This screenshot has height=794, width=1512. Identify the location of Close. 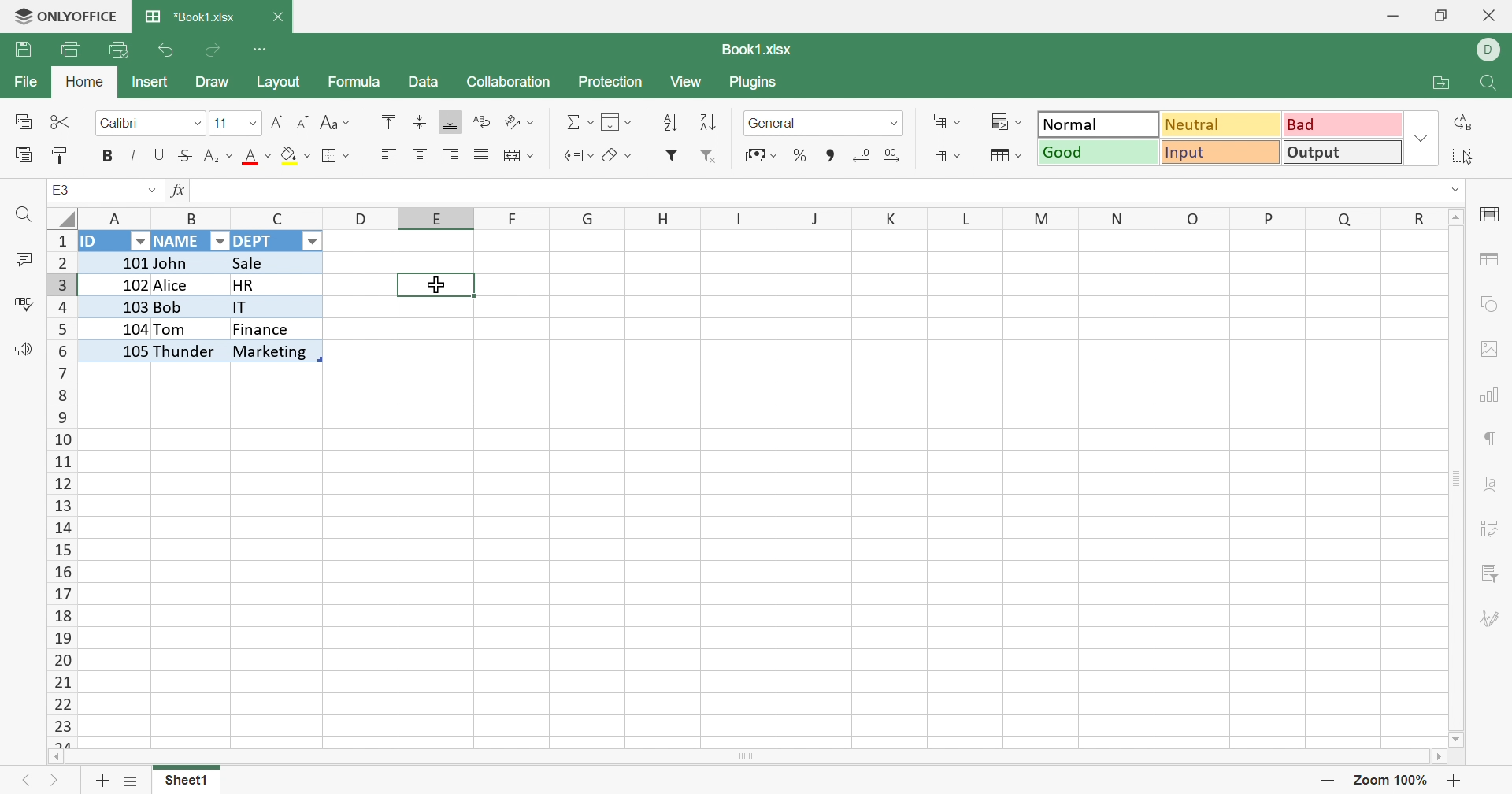
(1492, 16).